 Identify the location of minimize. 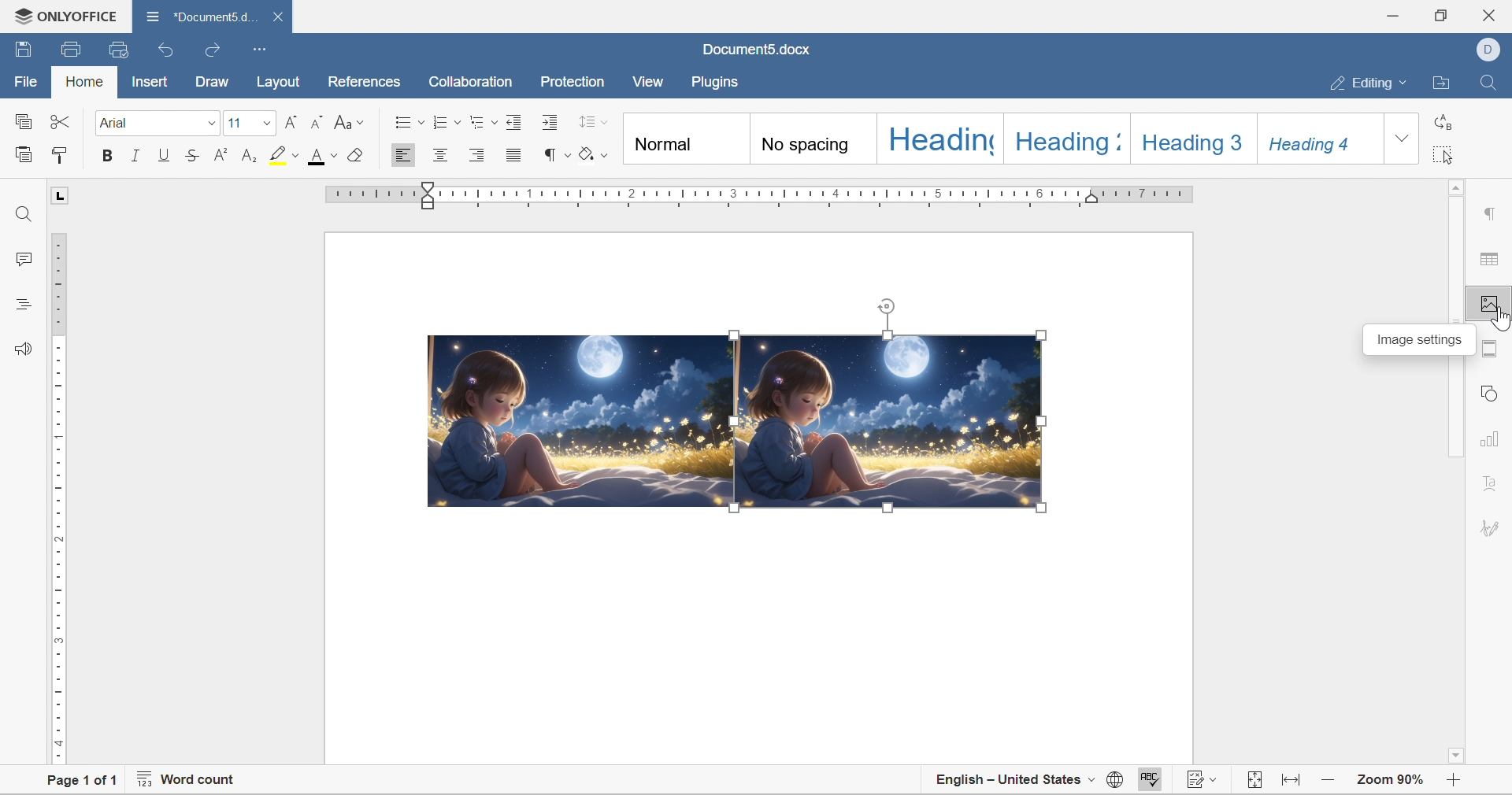
(1390, 17).